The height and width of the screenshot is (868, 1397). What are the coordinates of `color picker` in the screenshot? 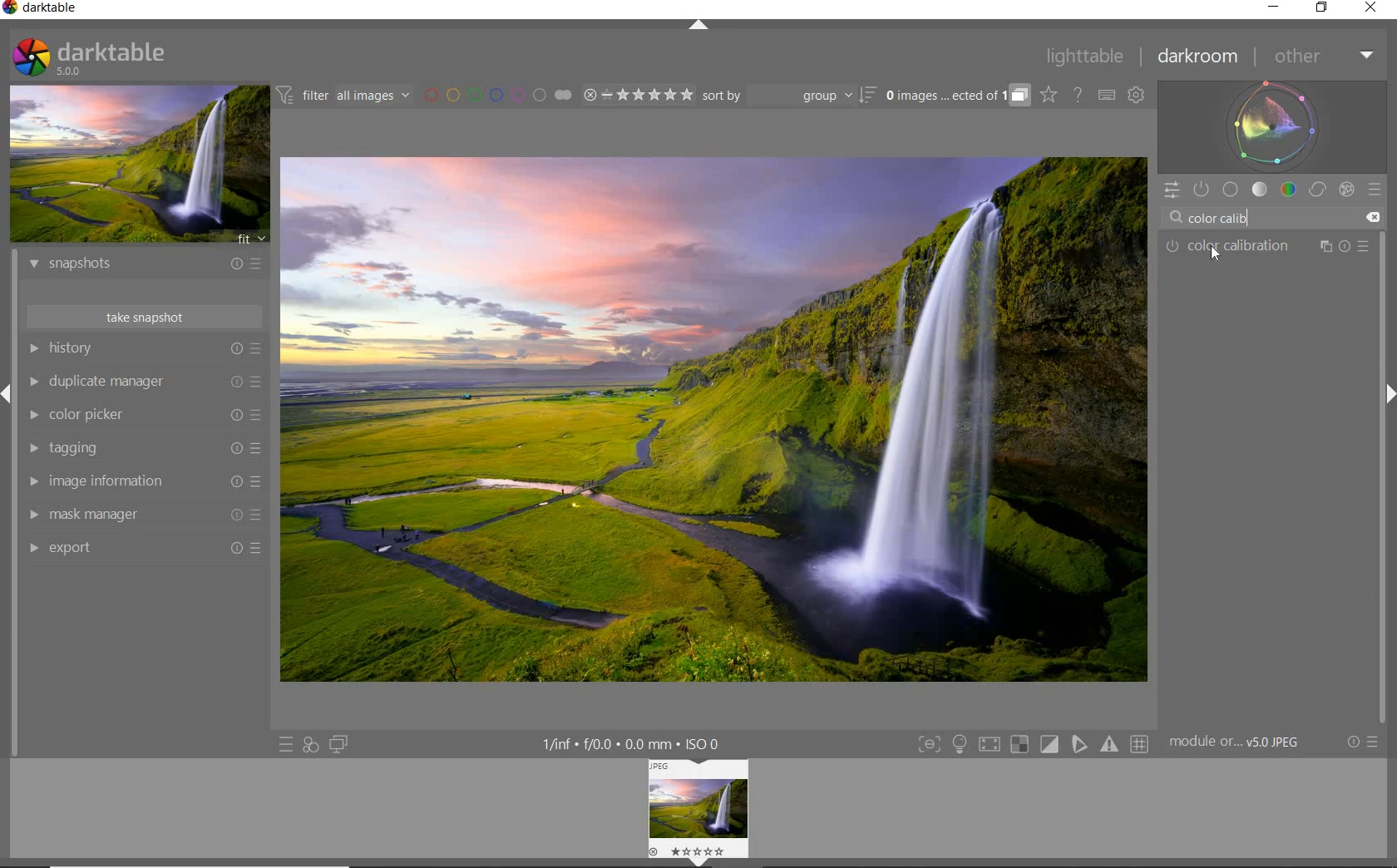 It's located at (143, 415).